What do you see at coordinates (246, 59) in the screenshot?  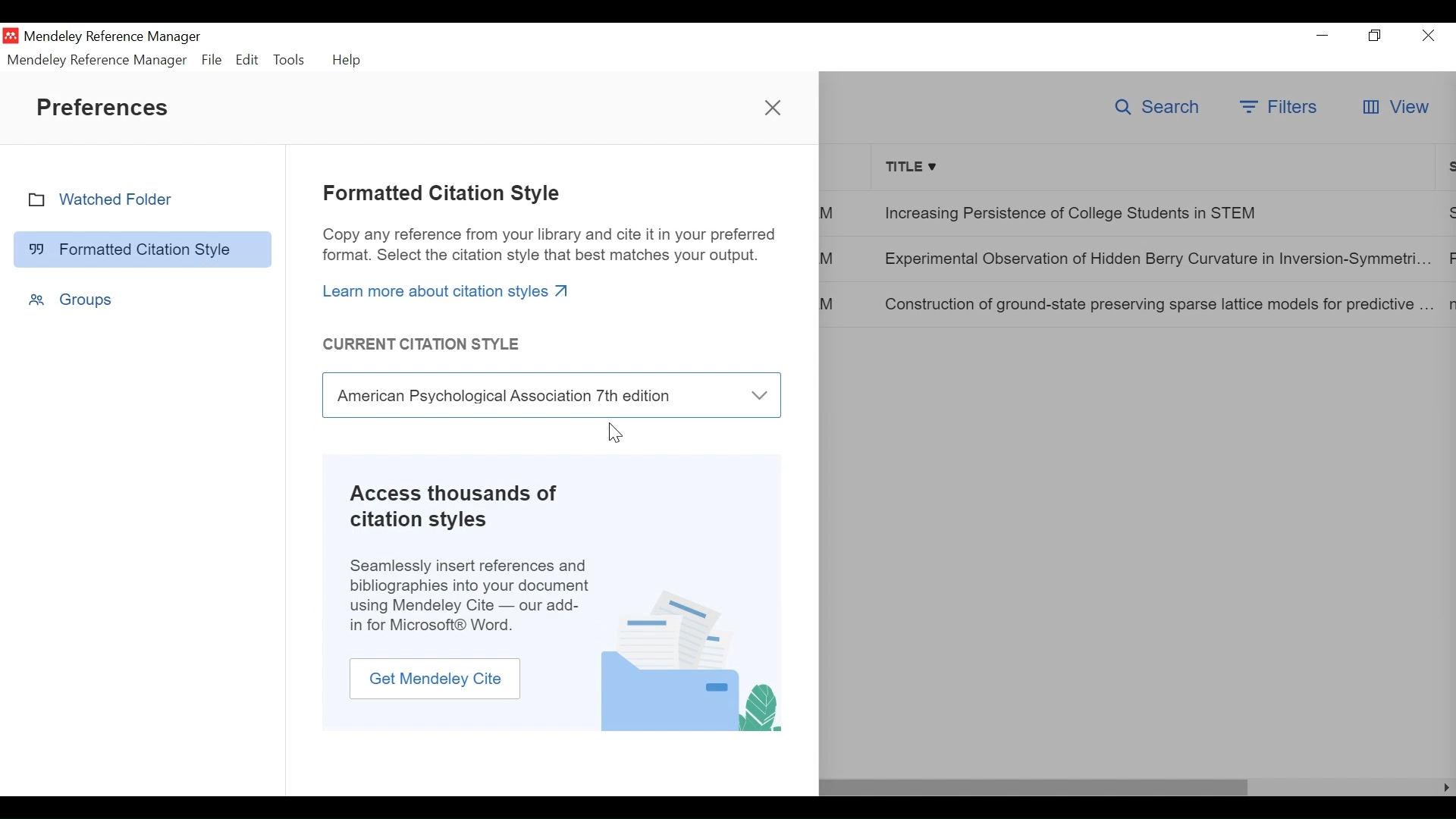 I see `Edit` at bounding box center [246, 59].